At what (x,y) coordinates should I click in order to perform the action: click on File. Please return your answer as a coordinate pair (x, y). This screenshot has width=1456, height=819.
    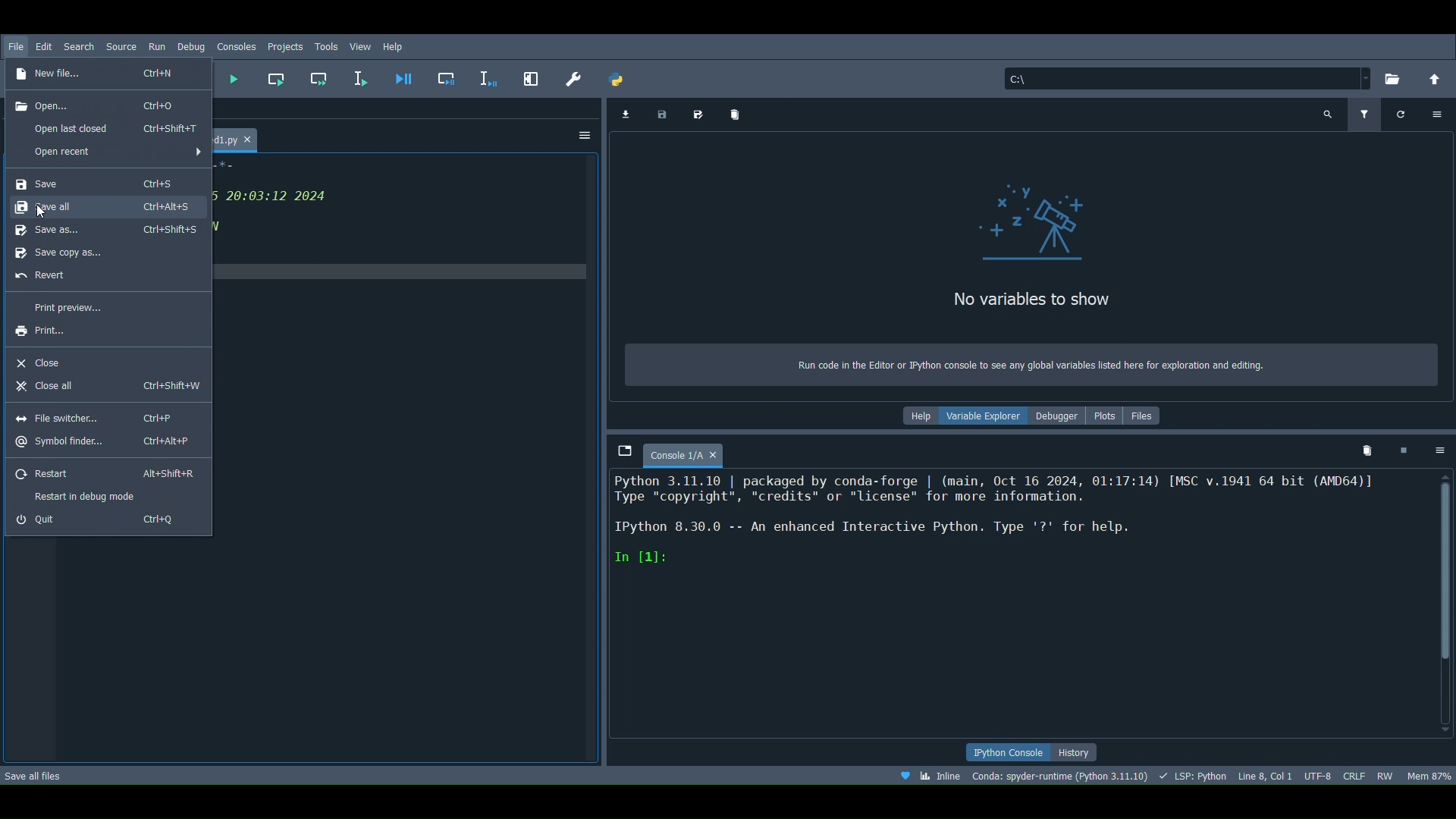
    Looking at the image, I should click on (15, 39).